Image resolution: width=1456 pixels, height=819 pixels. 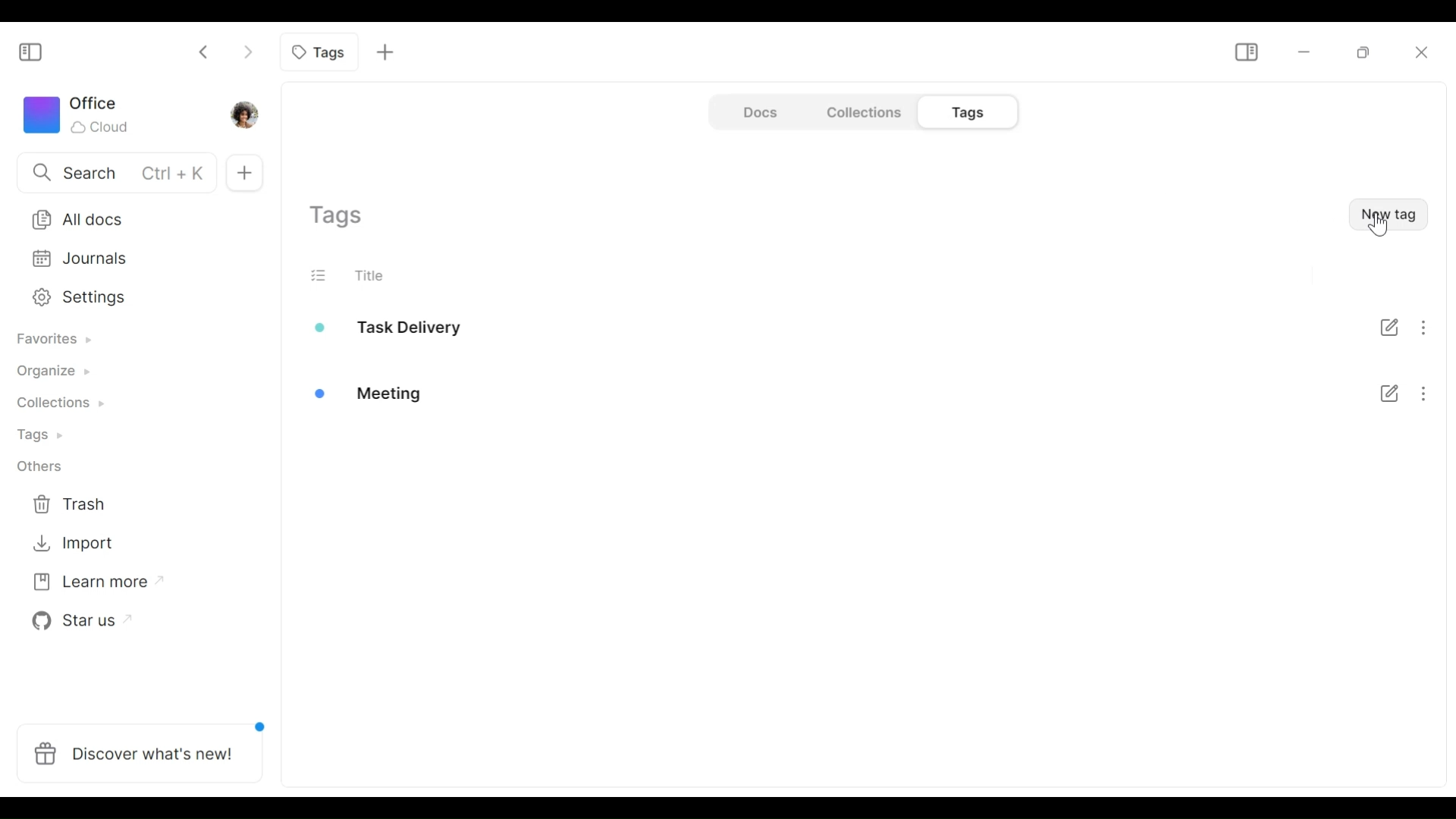 What do you see at coordinates (324, 275) in the screenshot?
I see `(un) select` at bounding box center [324, 275].